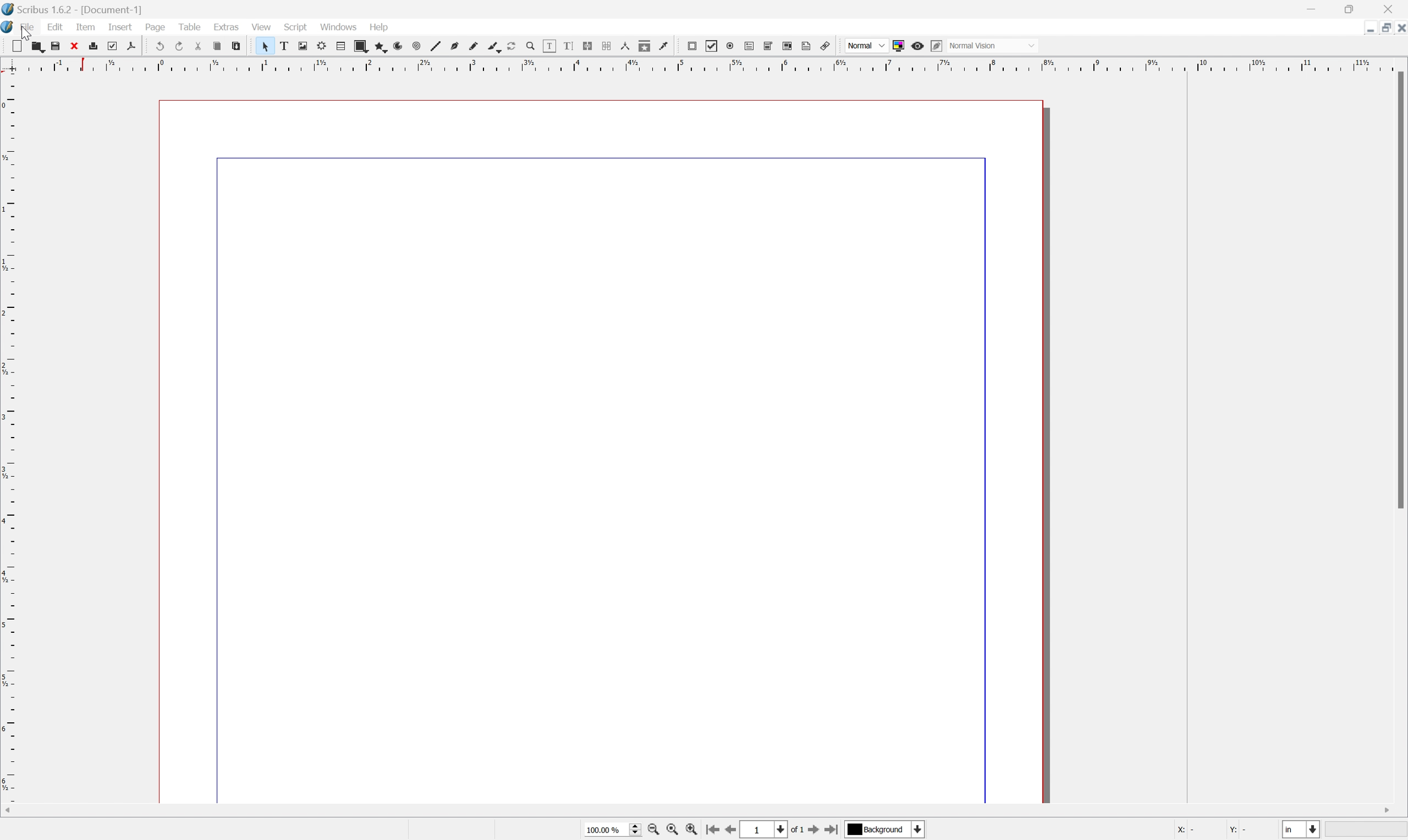 The image size is (1408, 840). Describe the element at coordinates (201, 46) in the screenshot. I see `Cut` at that location.